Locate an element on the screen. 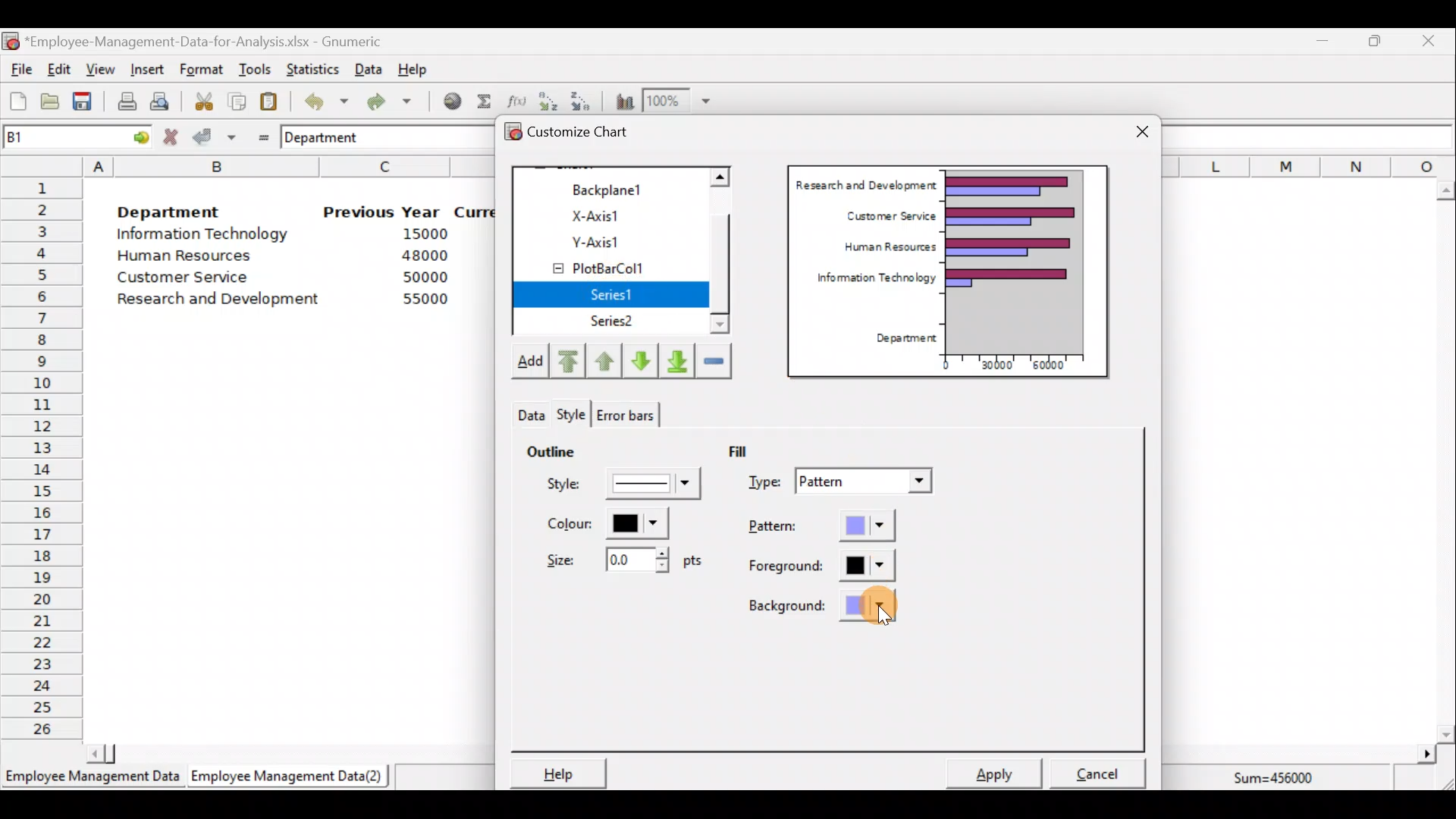 Image resolution: width=1456 pixels, height=819 pixels. Create a new workbook is located at coordinates (18, 101).